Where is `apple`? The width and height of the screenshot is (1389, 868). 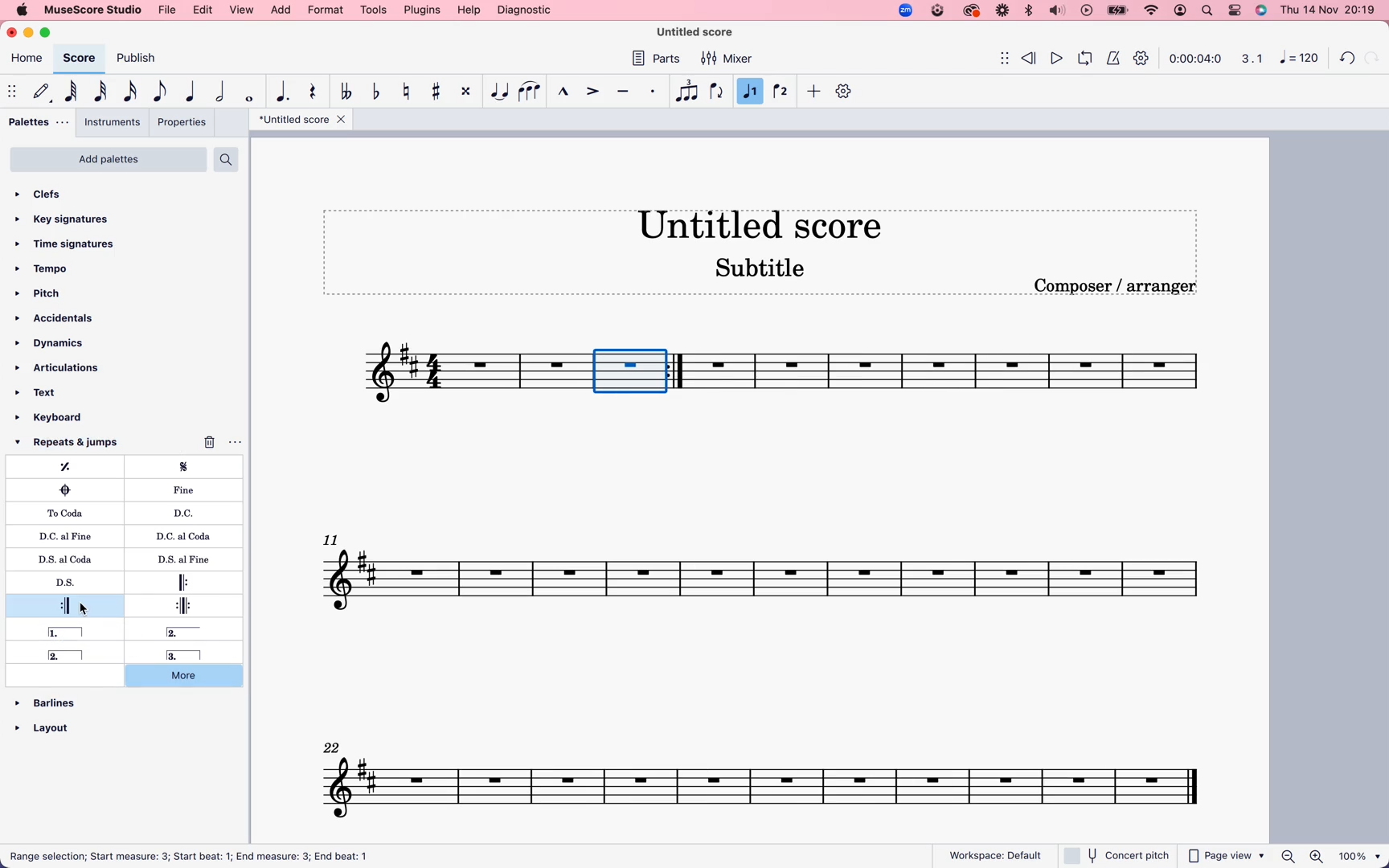 apple is located at coordinates (21, 10).